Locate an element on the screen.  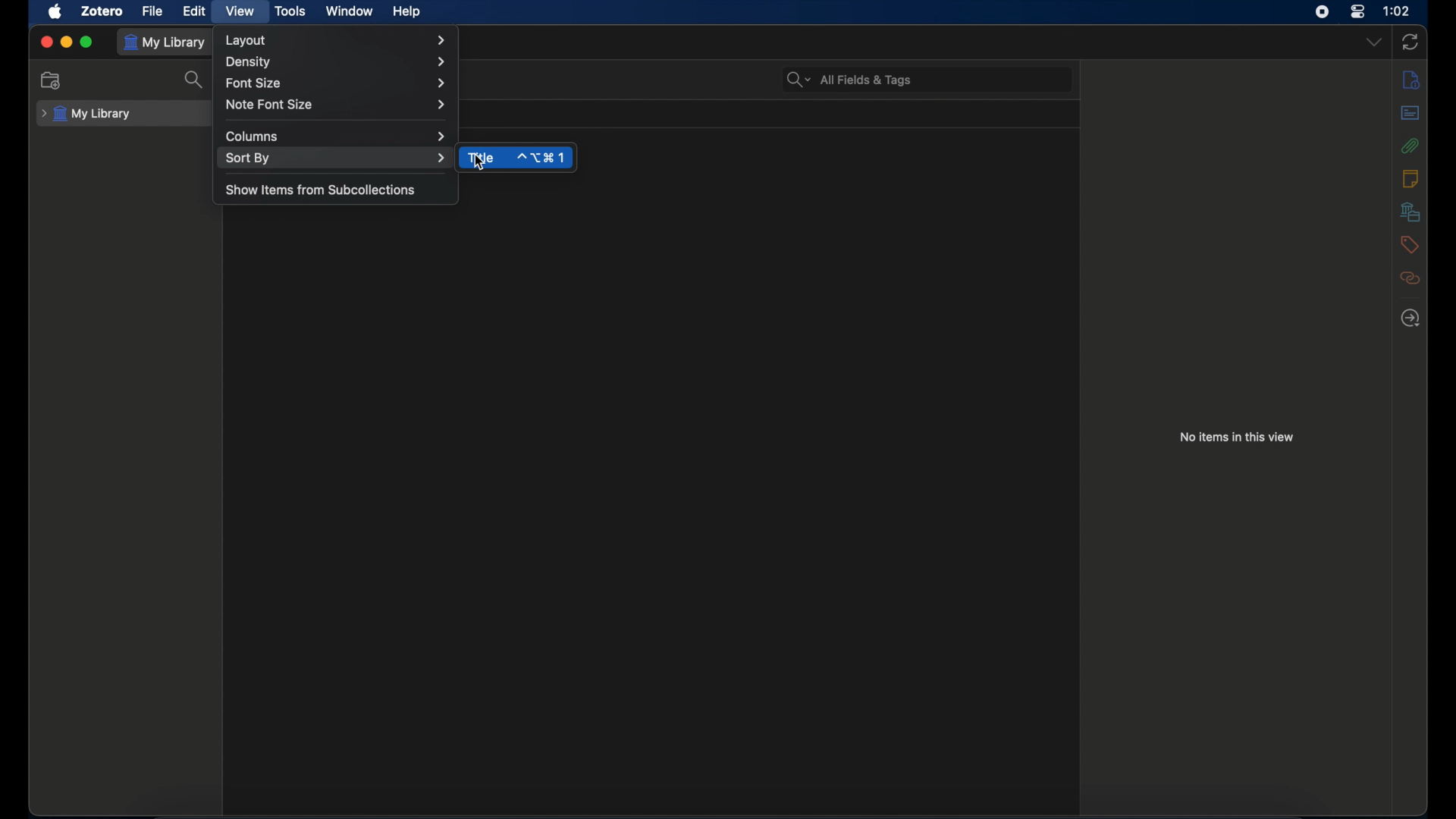
attachments is located at coordinates (1410, 146).